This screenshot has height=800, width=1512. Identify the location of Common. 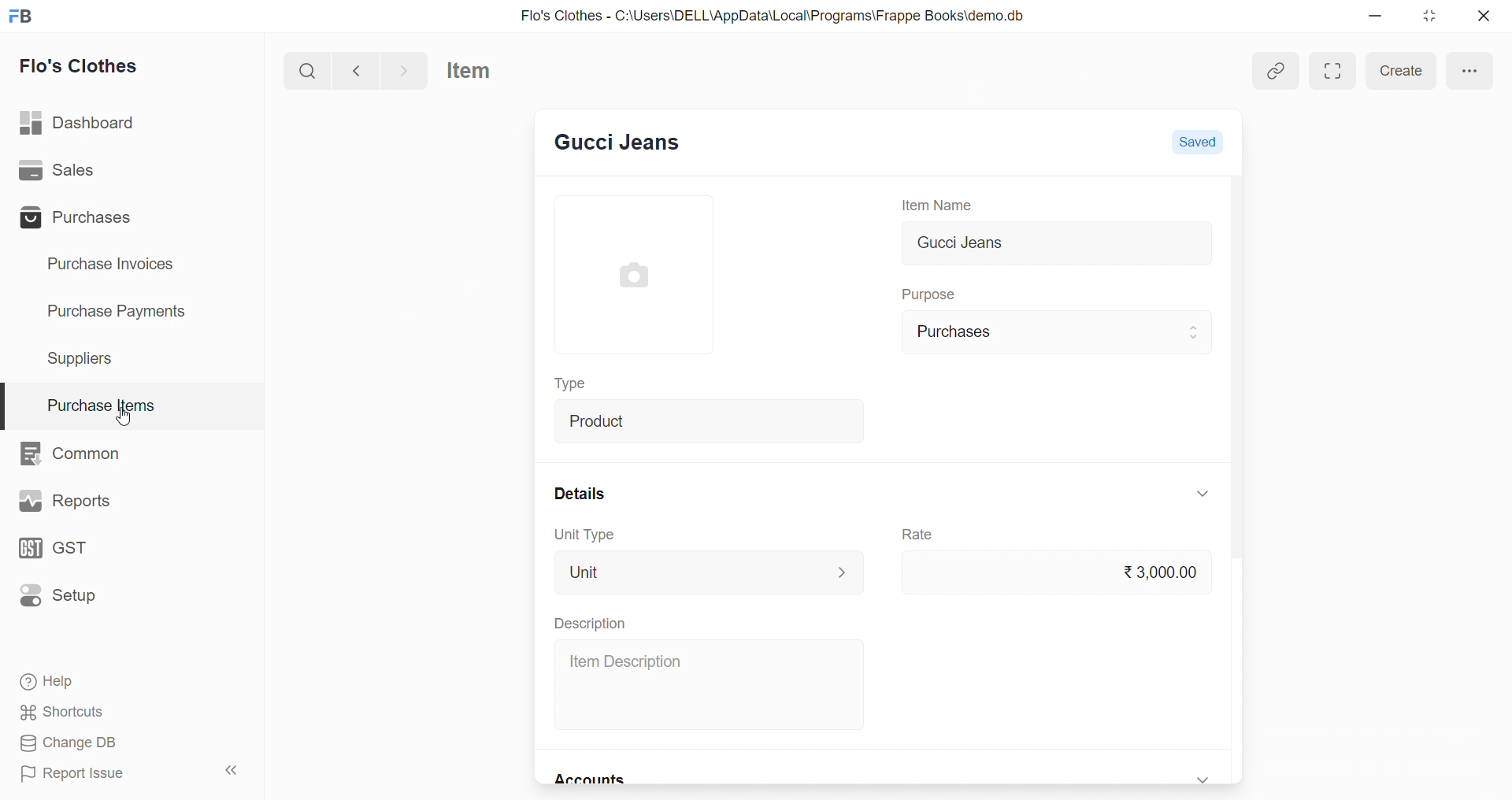
(79, 452).